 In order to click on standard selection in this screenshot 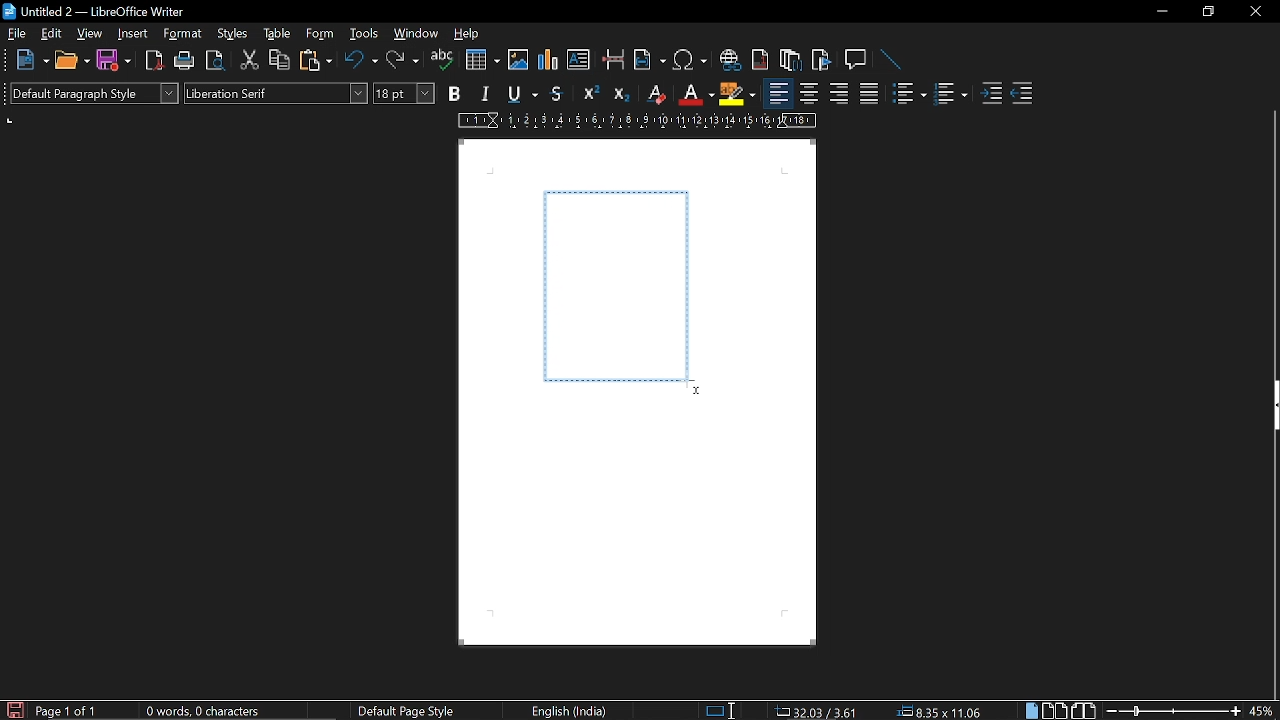, I will do `click(722, 710)`.